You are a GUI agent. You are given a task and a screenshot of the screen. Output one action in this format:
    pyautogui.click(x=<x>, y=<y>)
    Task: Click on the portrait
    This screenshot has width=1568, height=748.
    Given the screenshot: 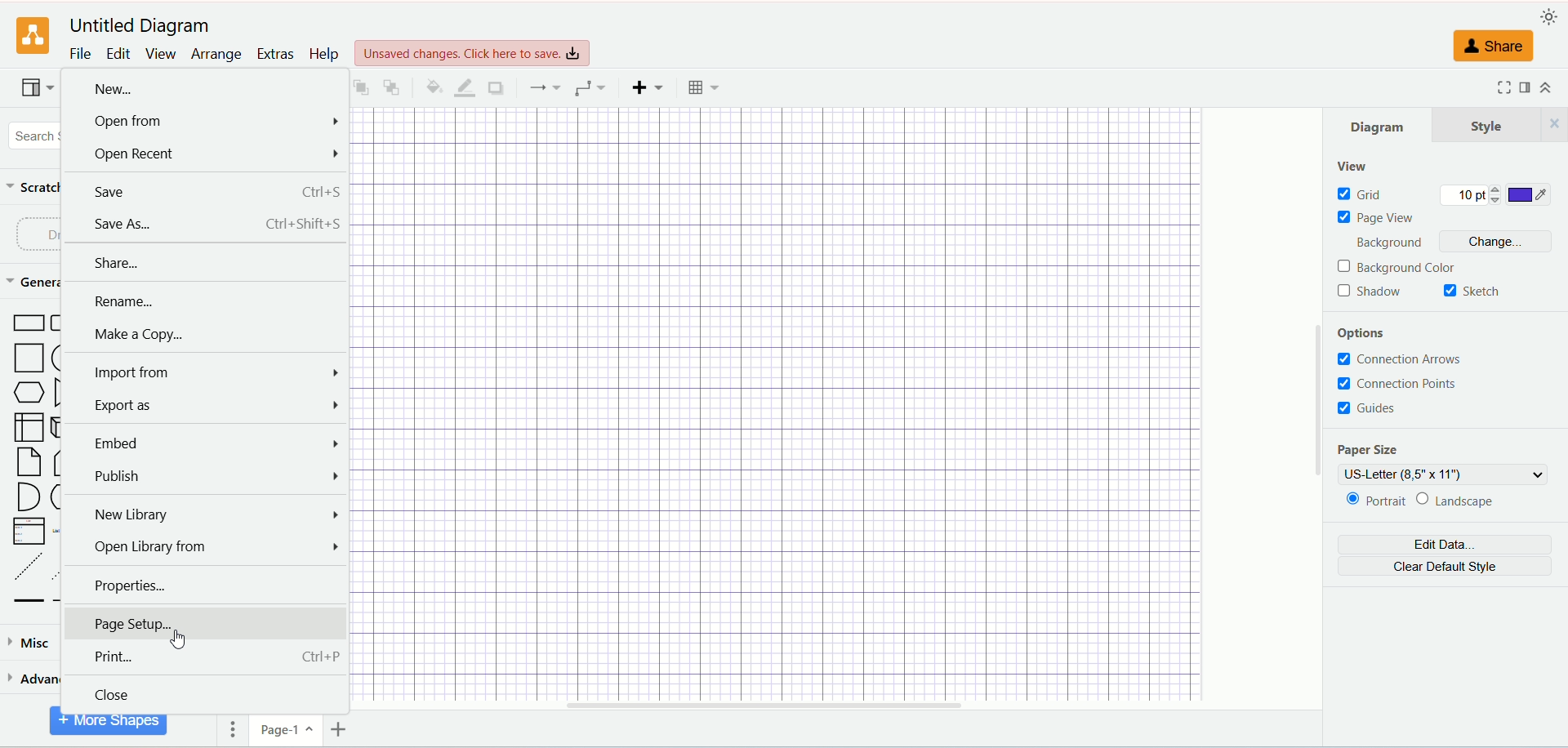 What is the action you would take?
    pyautogui.click(x=1375, y=502)
    